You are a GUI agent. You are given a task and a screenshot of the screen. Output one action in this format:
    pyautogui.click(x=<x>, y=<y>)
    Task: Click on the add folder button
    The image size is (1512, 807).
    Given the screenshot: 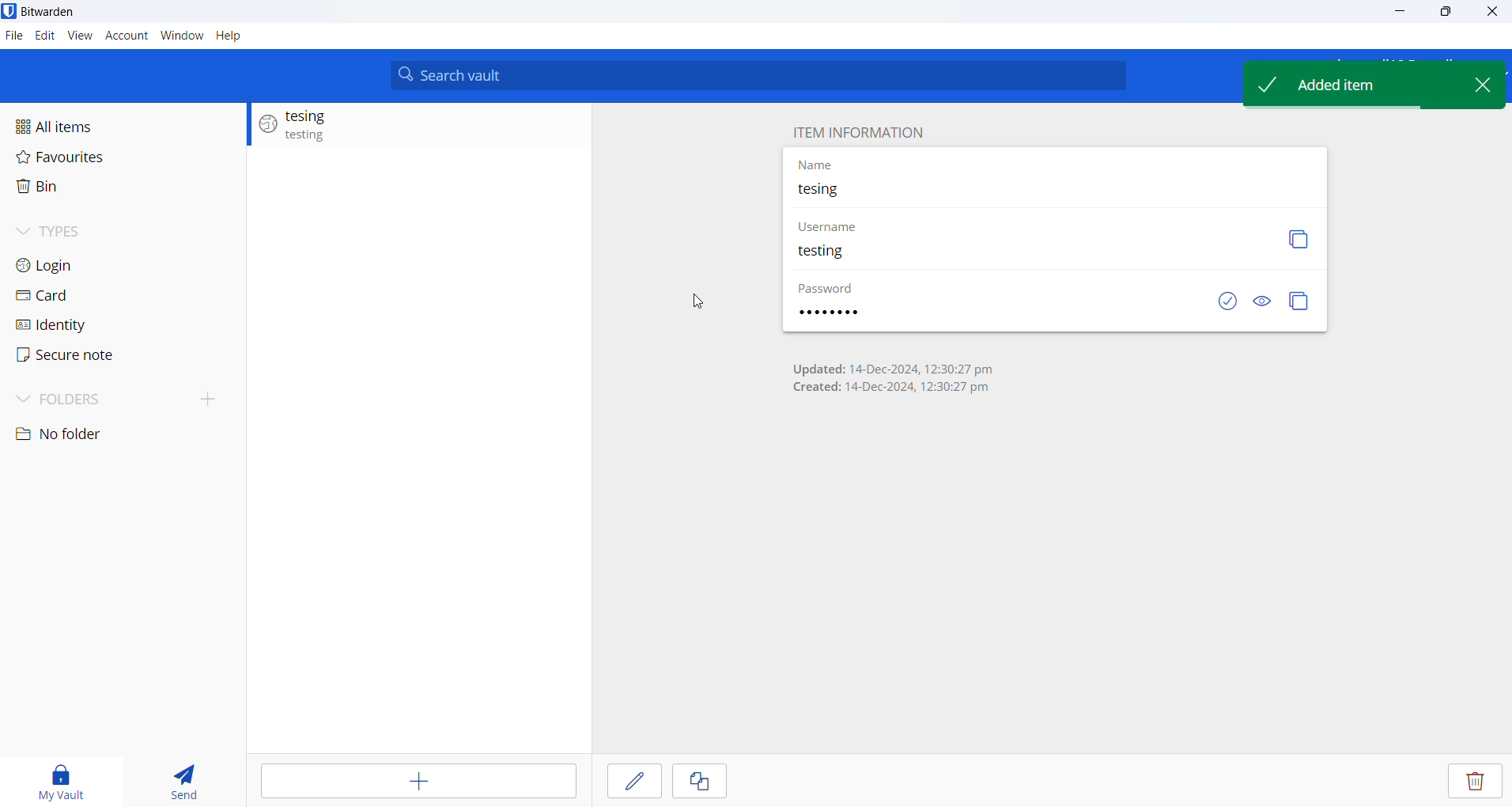 What is the action you would take?
    pyautogui.click(x=210, y=398)
    